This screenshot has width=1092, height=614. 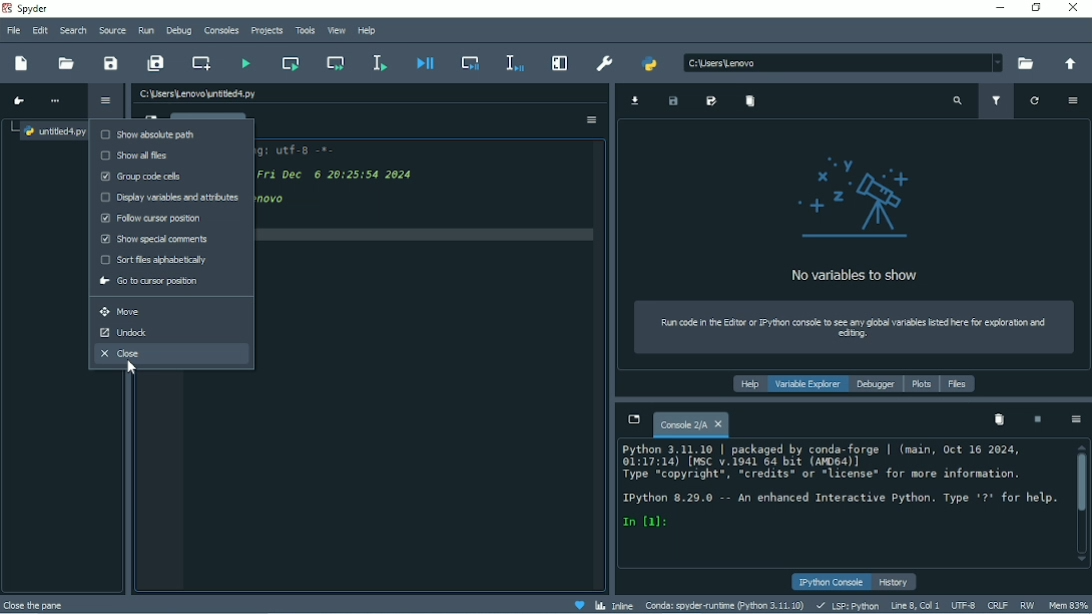 I want to click on No variables to show, so click(x=860, y=275).